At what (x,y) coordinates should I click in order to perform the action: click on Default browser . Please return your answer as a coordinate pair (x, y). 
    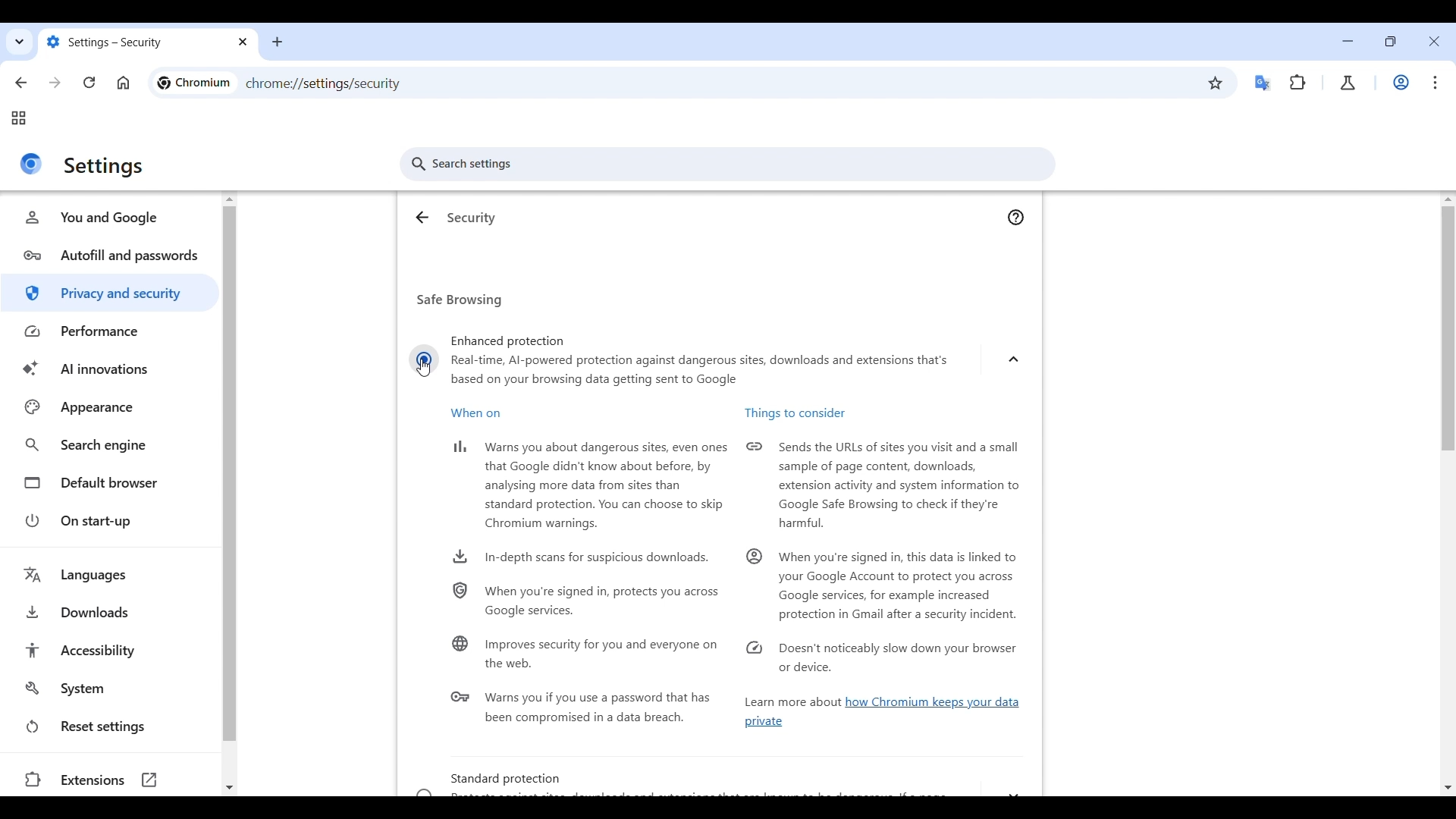
    Looking at the image, I should click on (112, 483).